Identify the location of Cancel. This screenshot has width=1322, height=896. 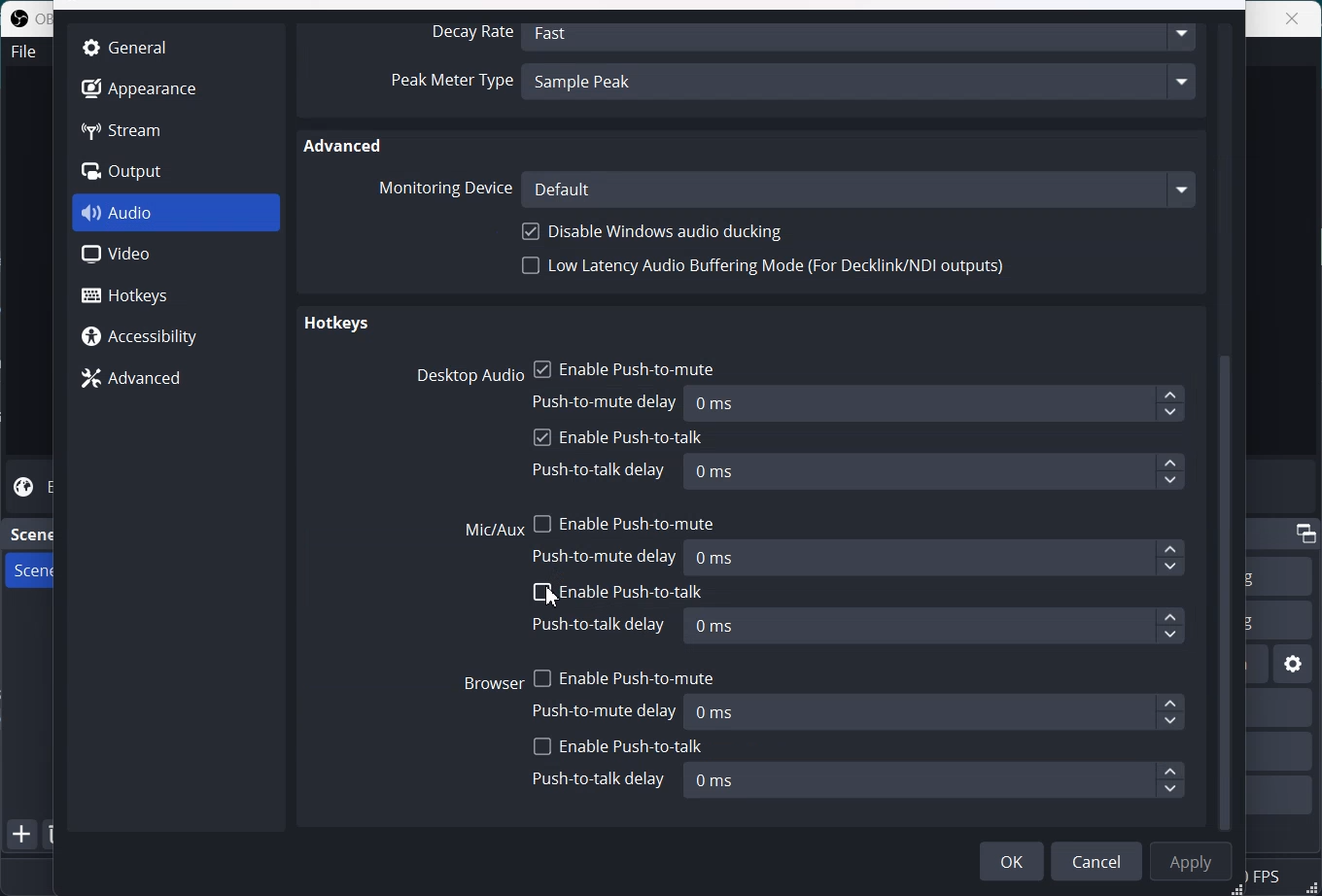
(1096, 861).